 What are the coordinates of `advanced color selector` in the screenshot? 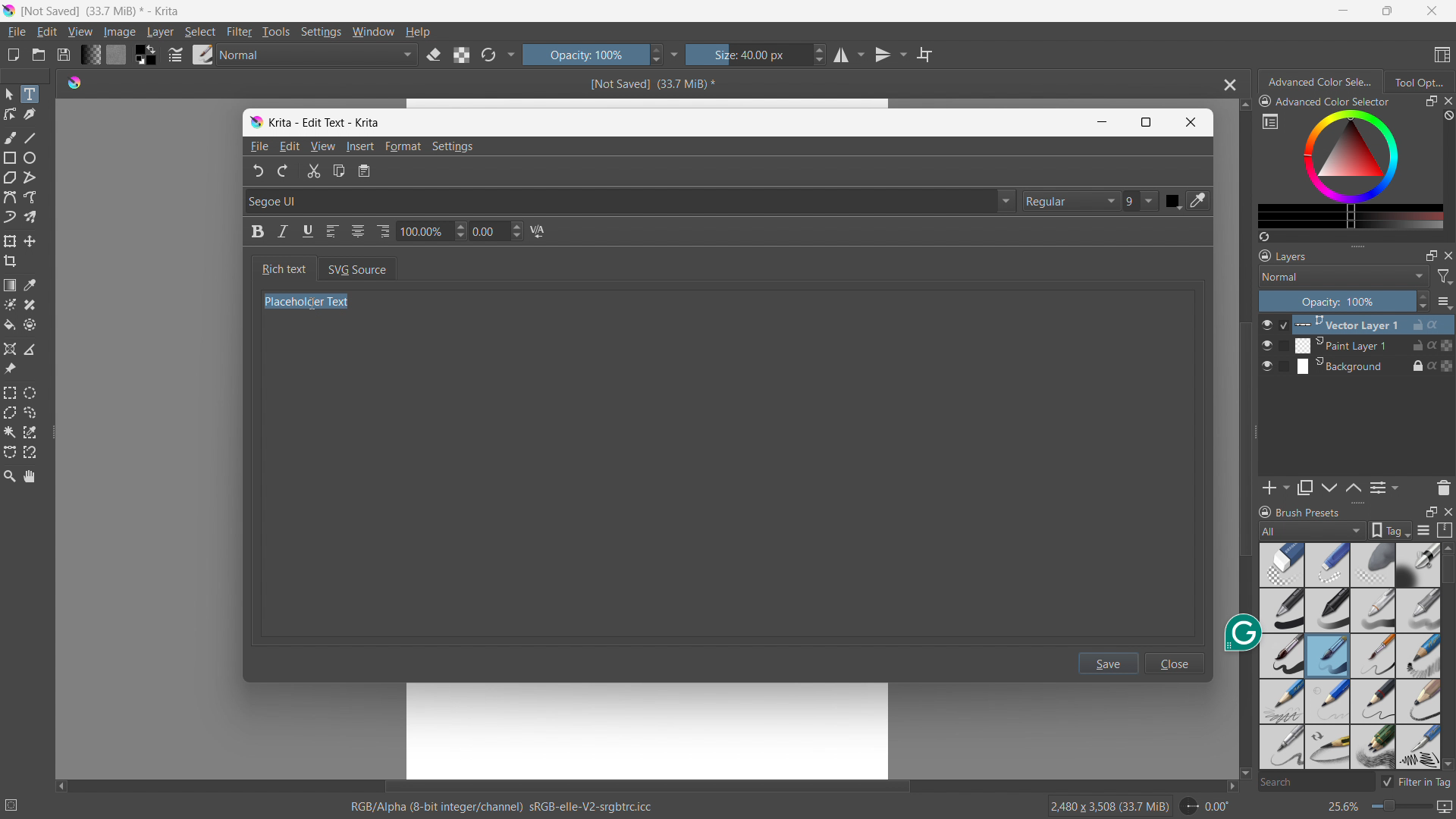 It's located at (1325, 101).